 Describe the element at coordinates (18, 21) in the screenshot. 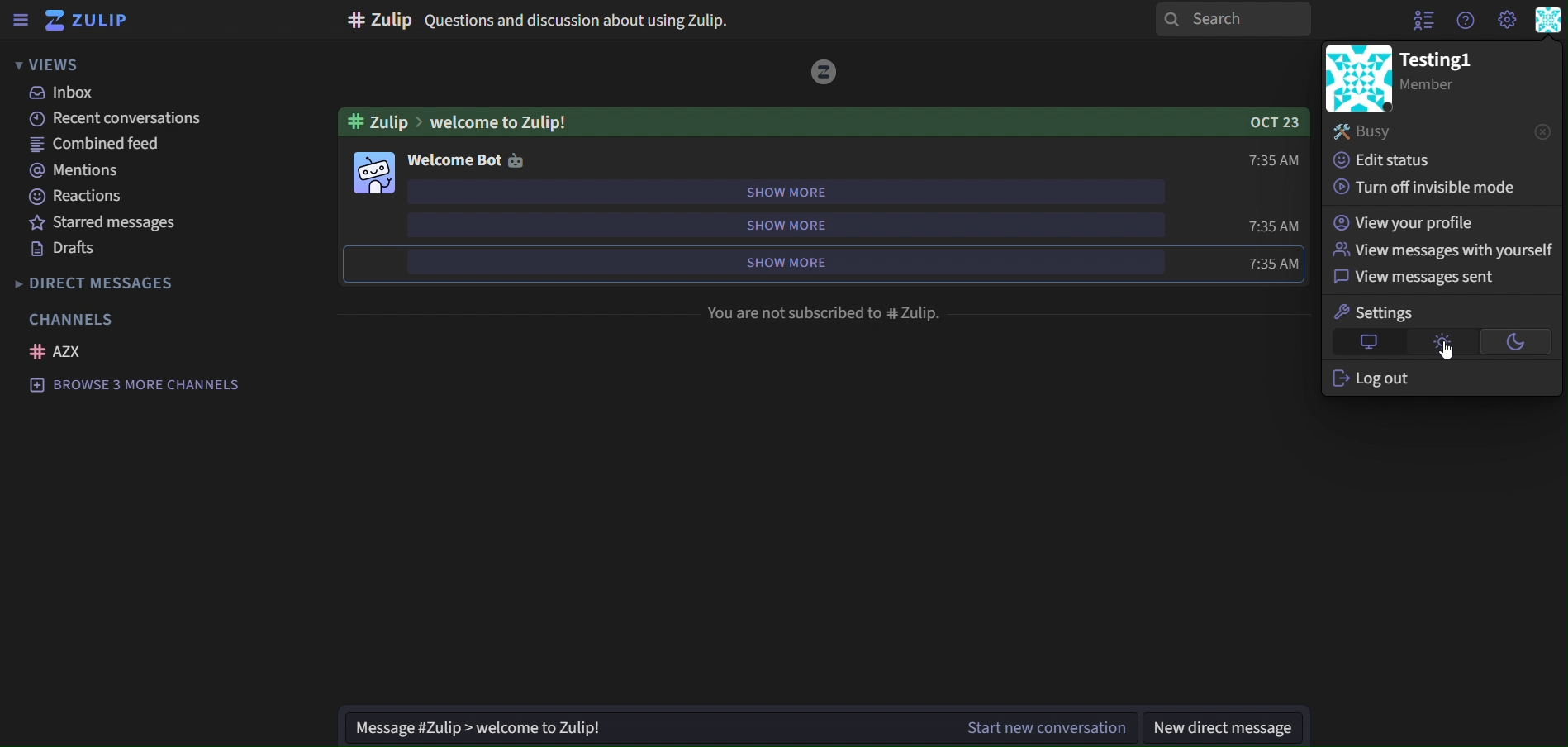

I see `sidebar` at that location.